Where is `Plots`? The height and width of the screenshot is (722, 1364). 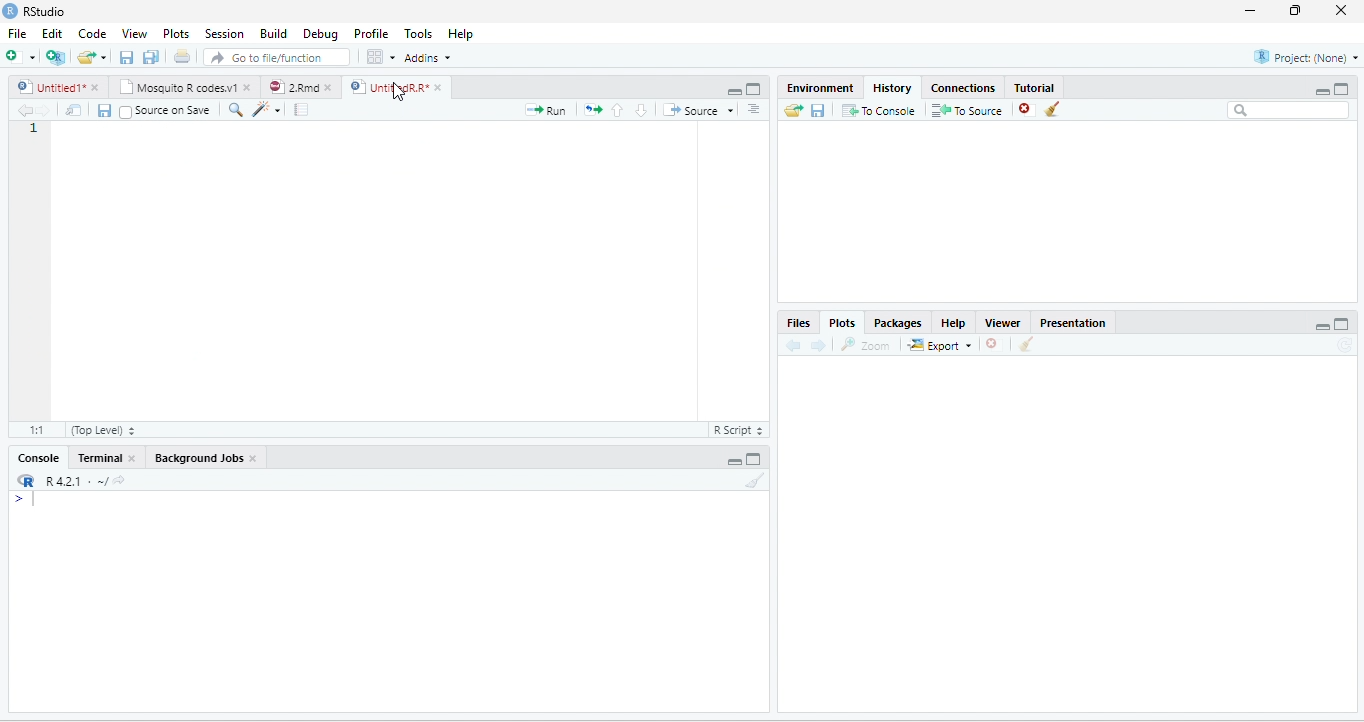
Plots is located at coordinates (842, 321).